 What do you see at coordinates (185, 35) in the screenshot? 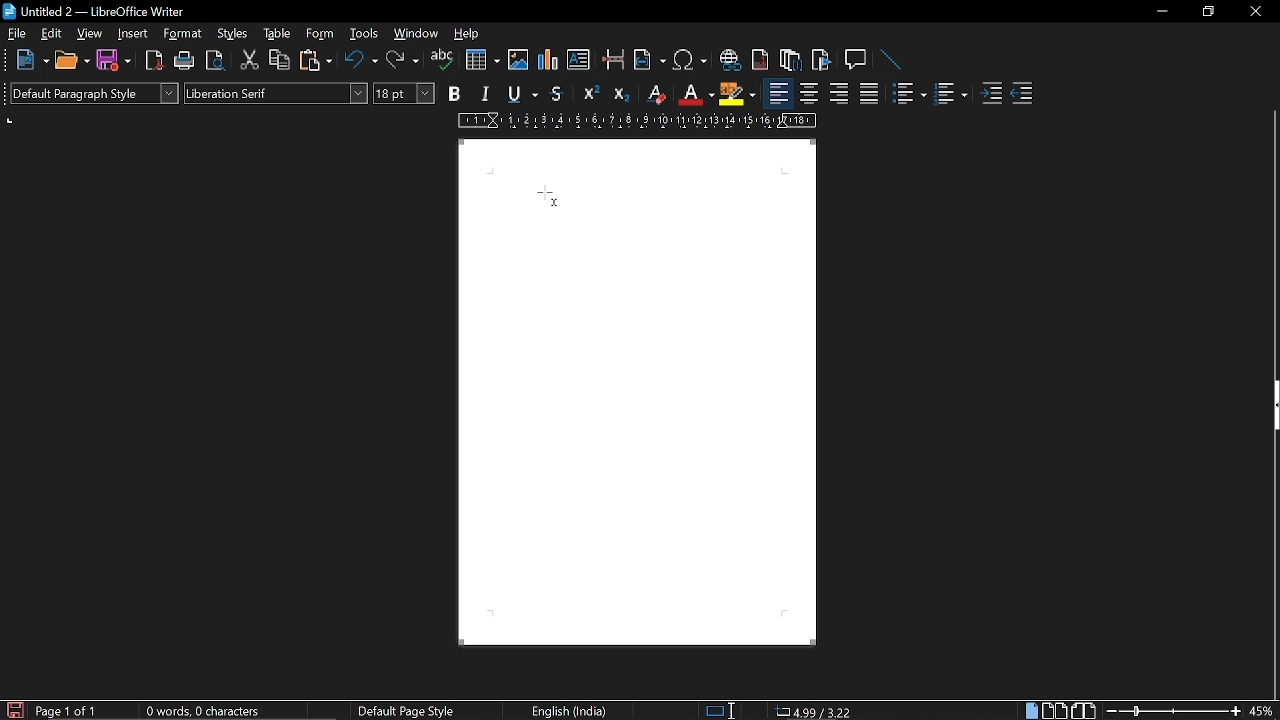
I see `format` at bounding box center [185, 35].